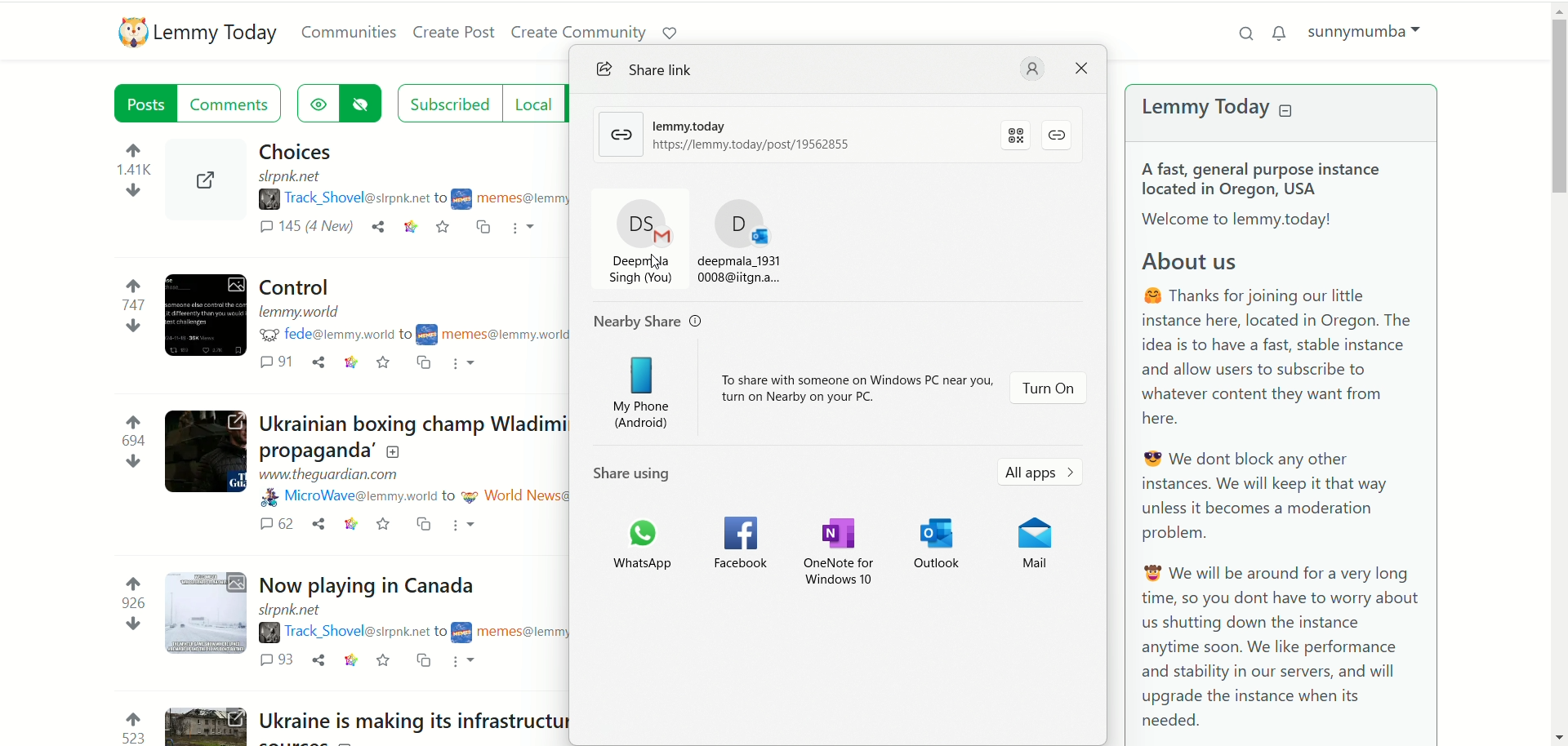  Describe the element at coordinates (337, 199) in the screenshot. I see `username` at that location.